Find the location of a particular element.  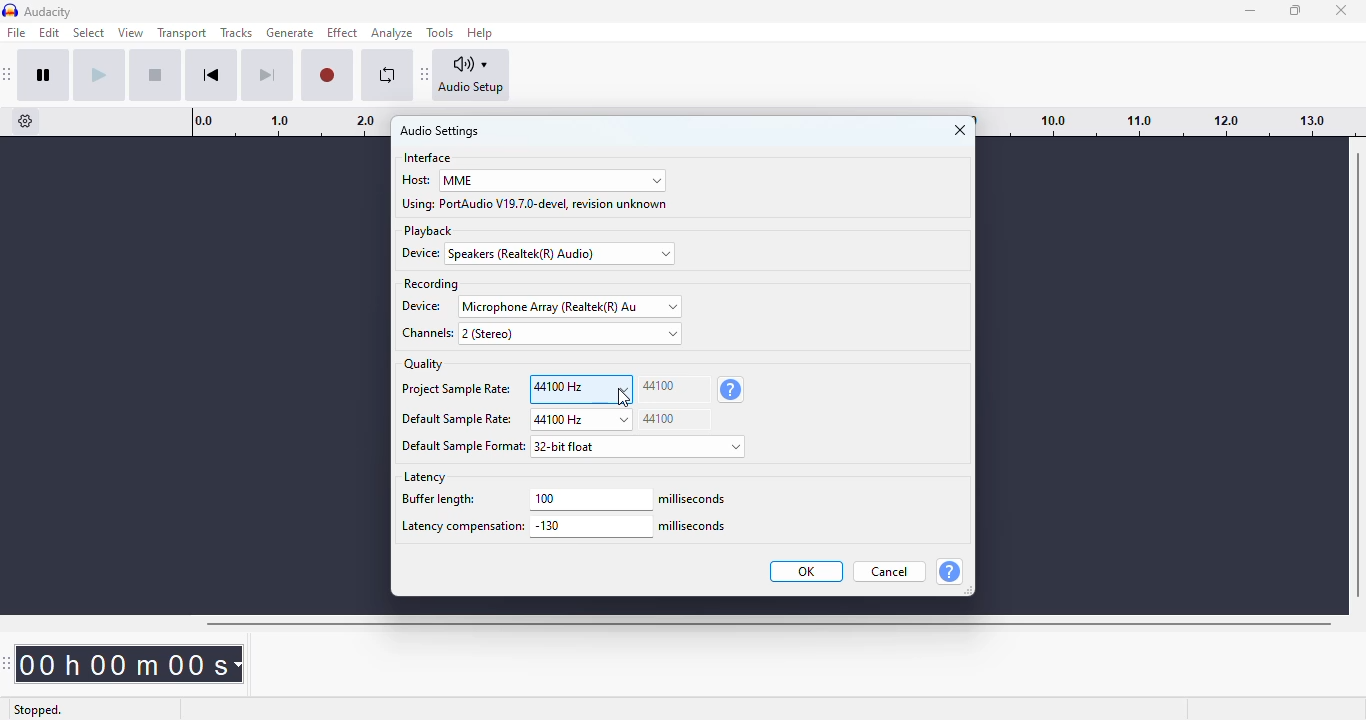

select project sample rate is located at coordinates (581, 389).